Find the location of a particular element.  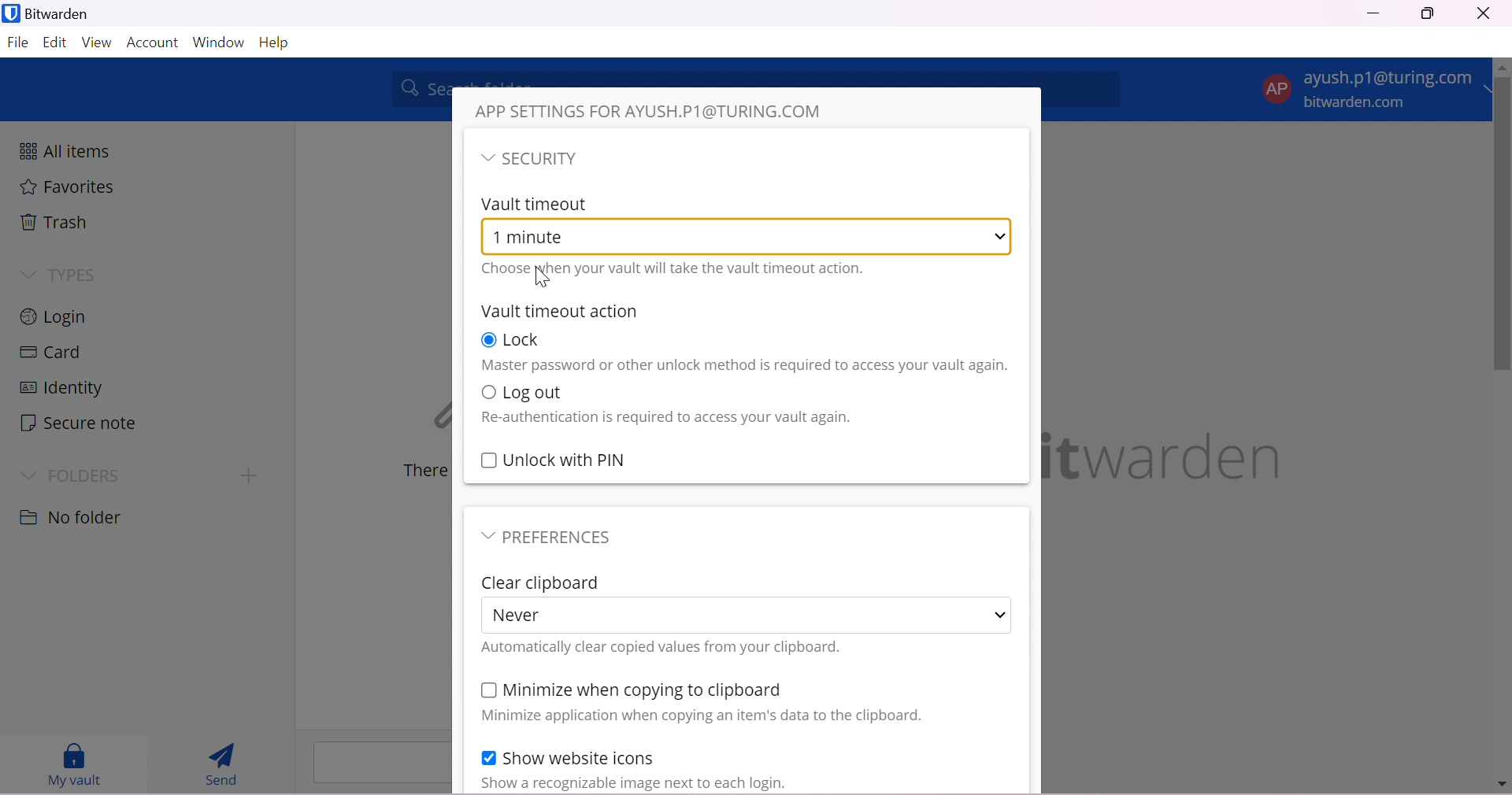

TYPES is located at coordinates (78, 276).